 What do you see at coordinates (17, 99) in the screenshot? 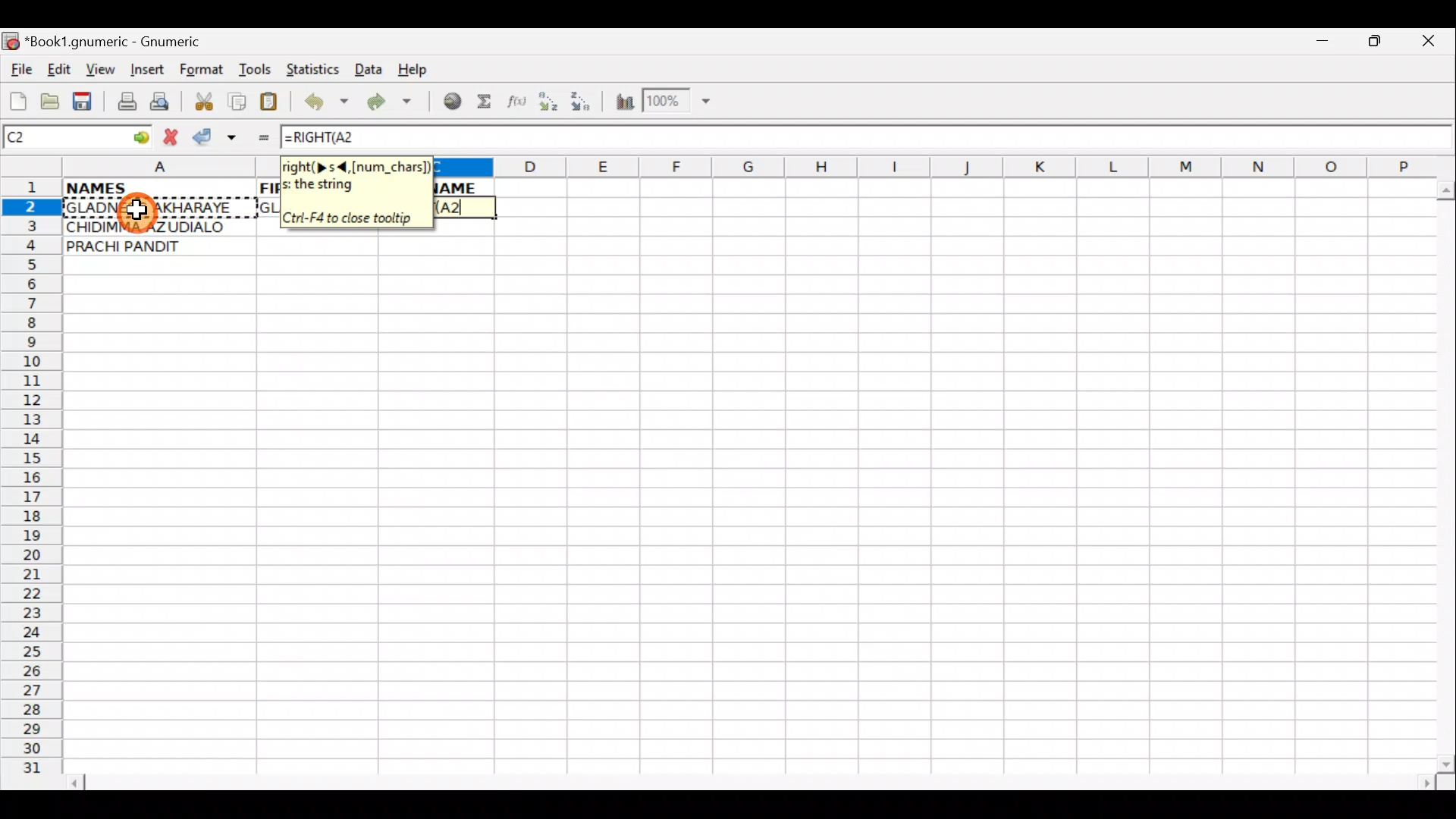
I see `Create new workbook` at bounding box center [17, 99].